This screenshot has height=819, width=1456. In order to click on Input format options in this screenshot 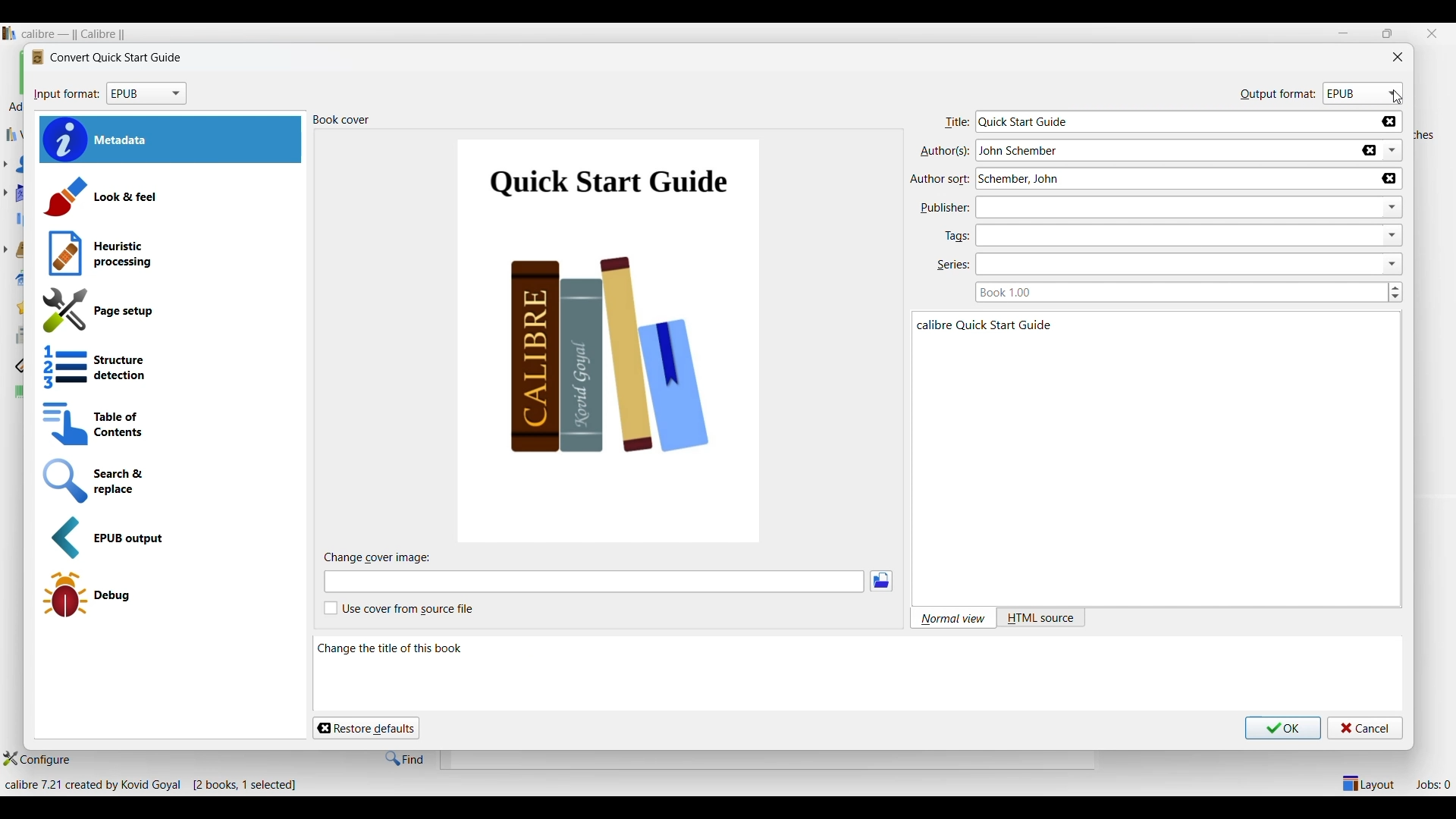, I will do `click(147, 94)`.